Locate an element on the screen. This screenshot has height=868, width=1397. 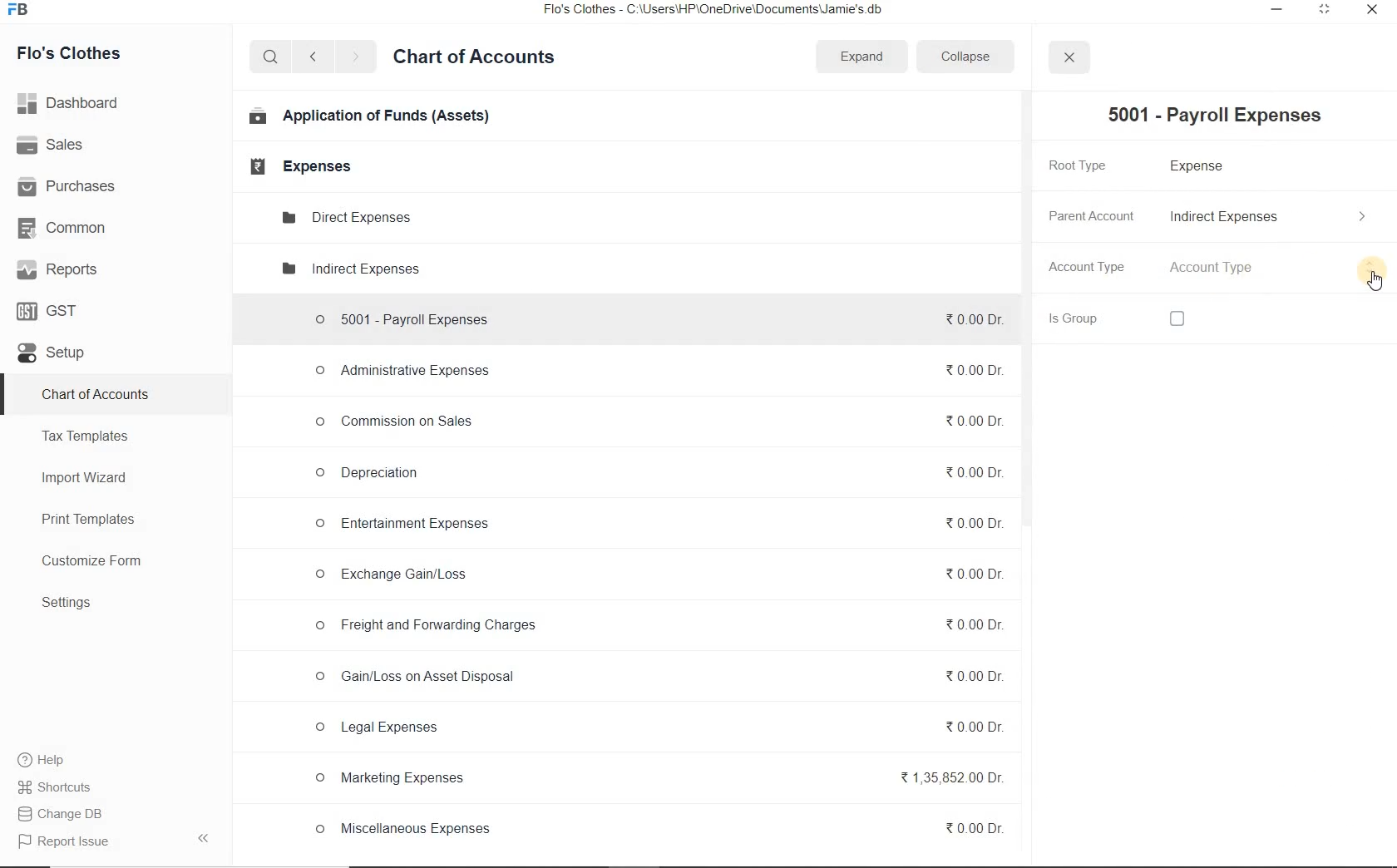
Purchases is located at coordinates (69, 187).